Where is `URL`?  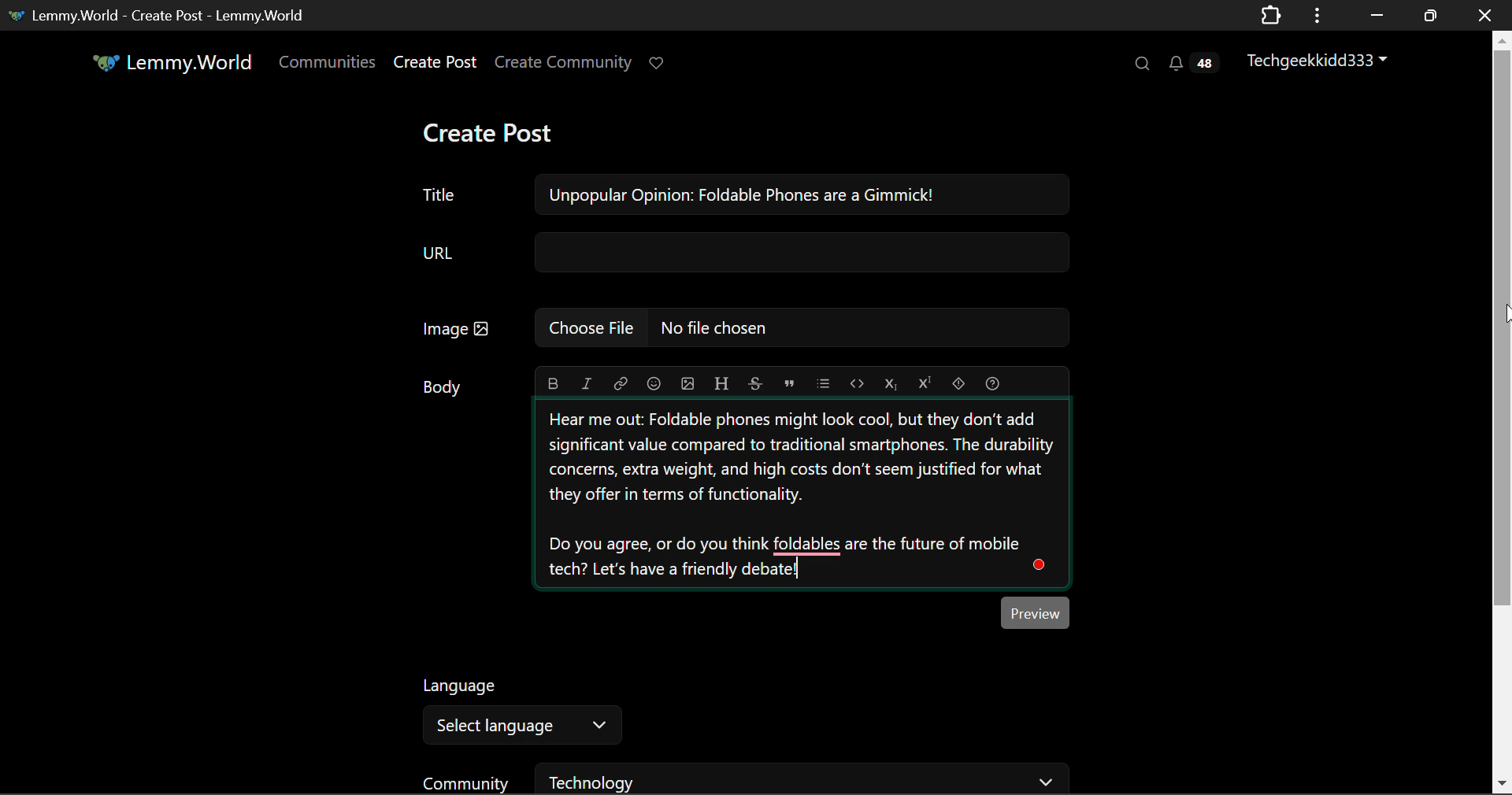
URL is located at coordinates (743, 253).